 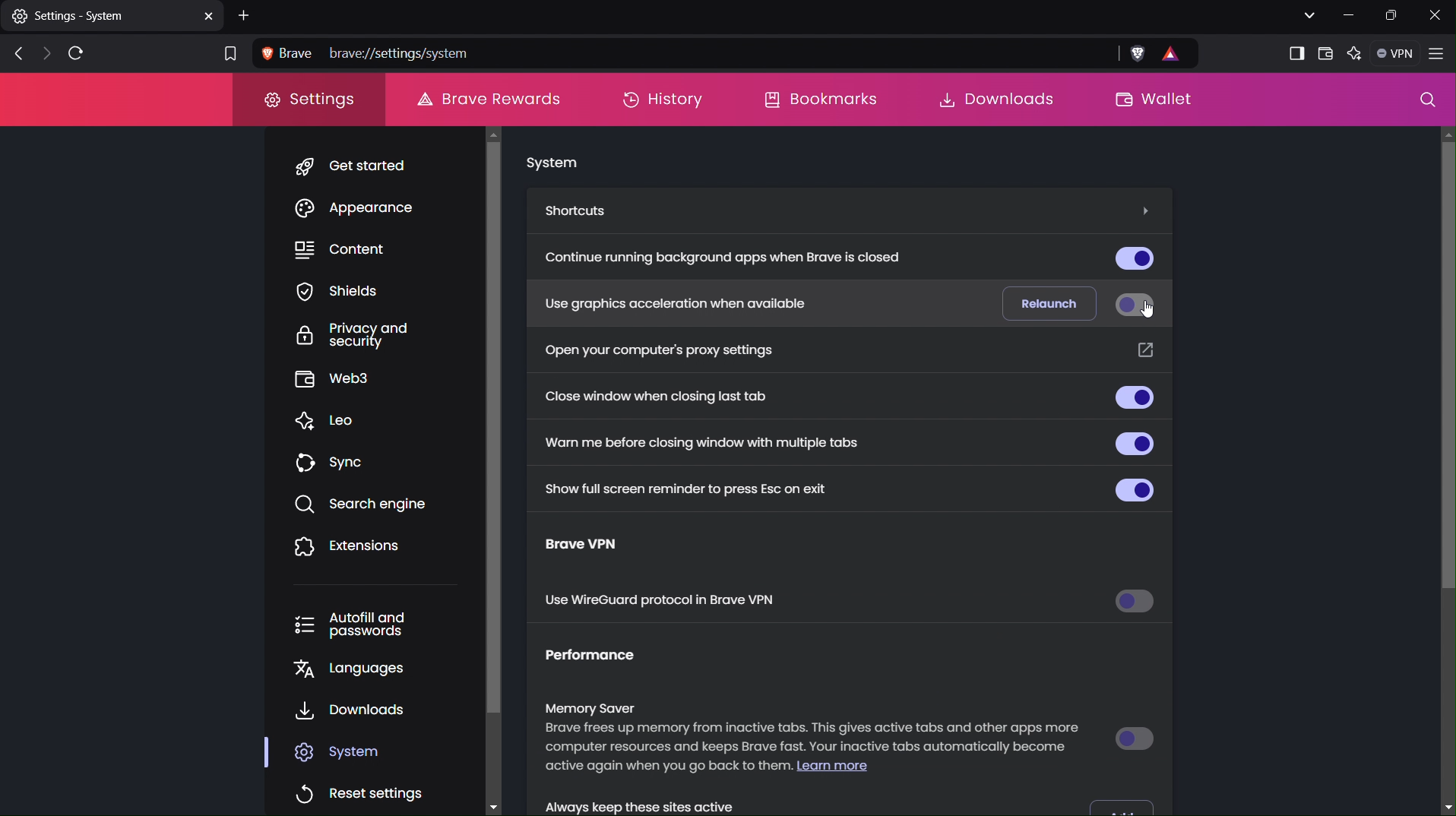 I want to click on Button, so click(x=1131, y=256).